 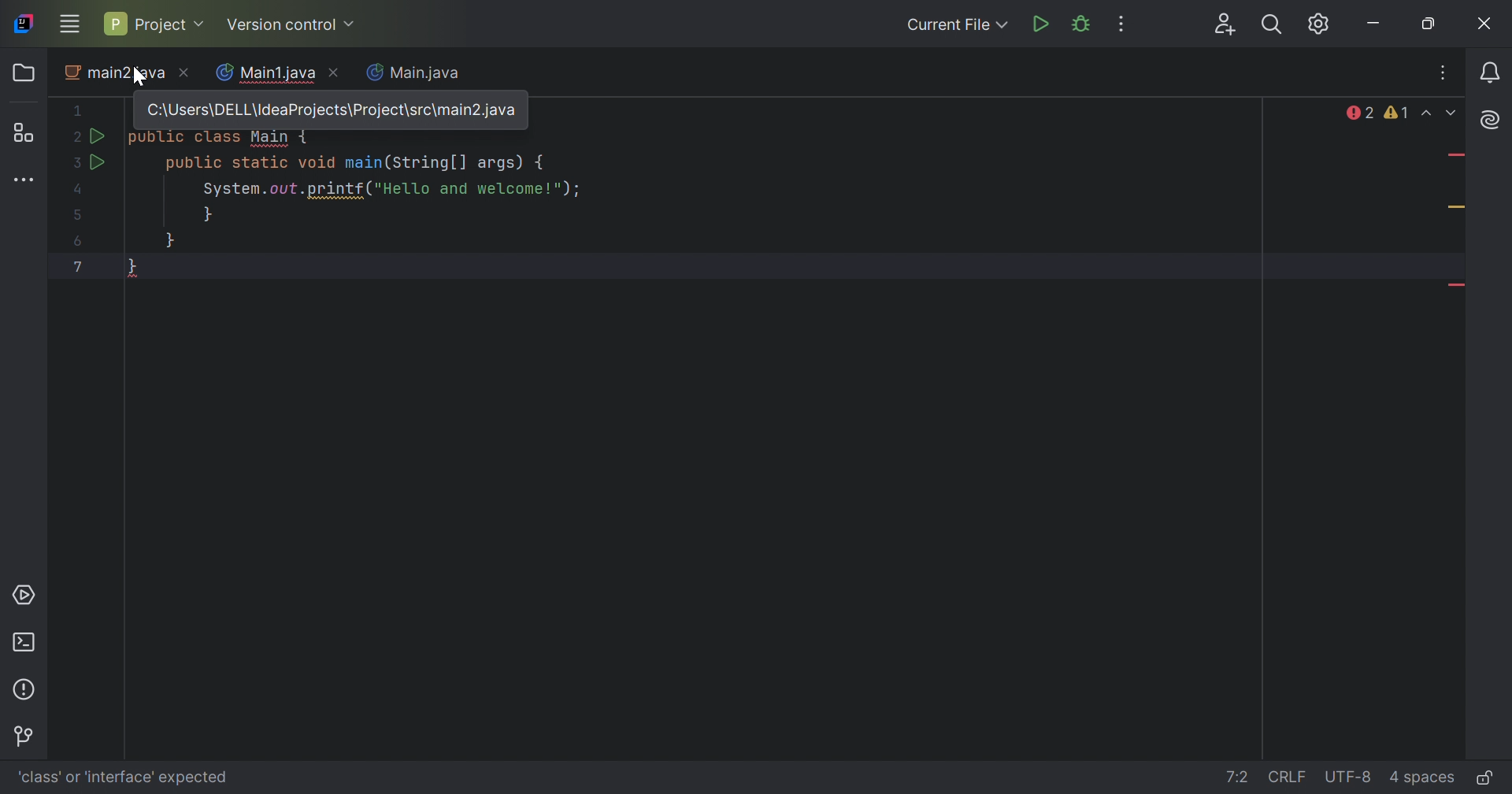 What do you see at coordinates (357, 165) in the screenshot?
I see `public static void main(String[] args) {` at bounding box center [357, 165].